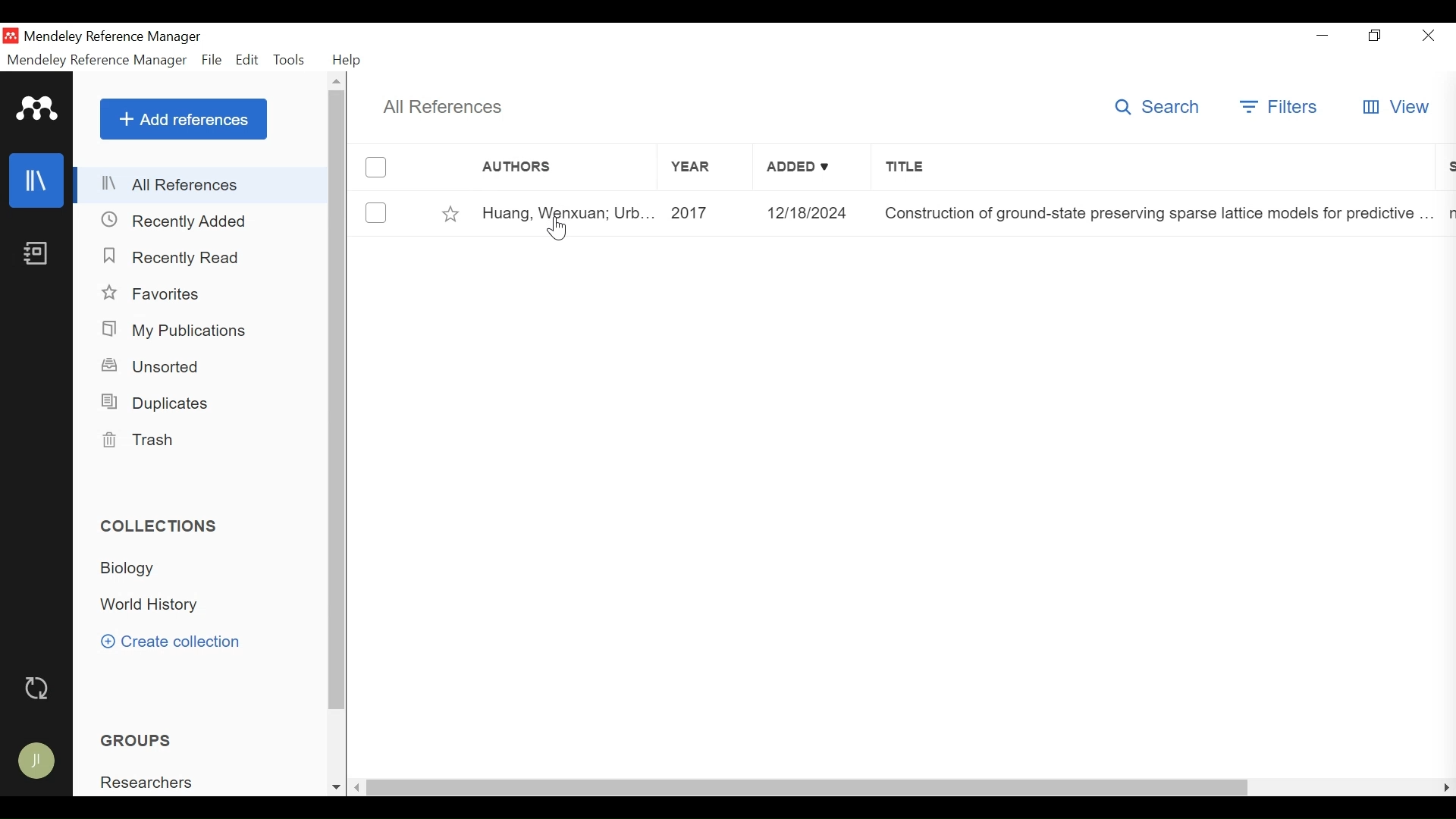  What do you see at coordinates (178, 331) in the screenshot?
I see `My Publications` at bounding box center [178, 331].